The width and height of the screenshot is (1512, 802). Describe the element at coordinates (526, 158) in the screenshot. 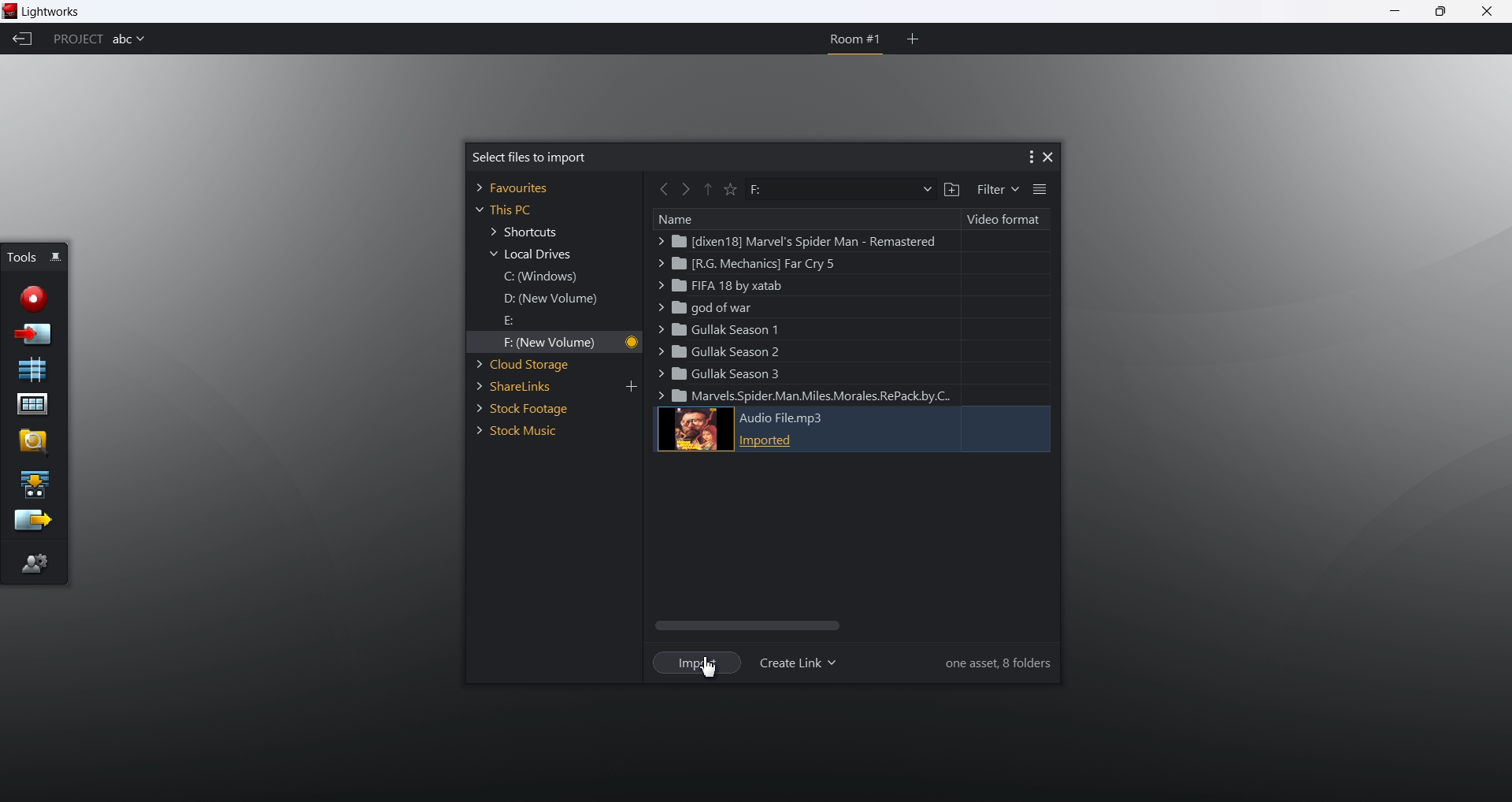

I see `select files to import` at that location.